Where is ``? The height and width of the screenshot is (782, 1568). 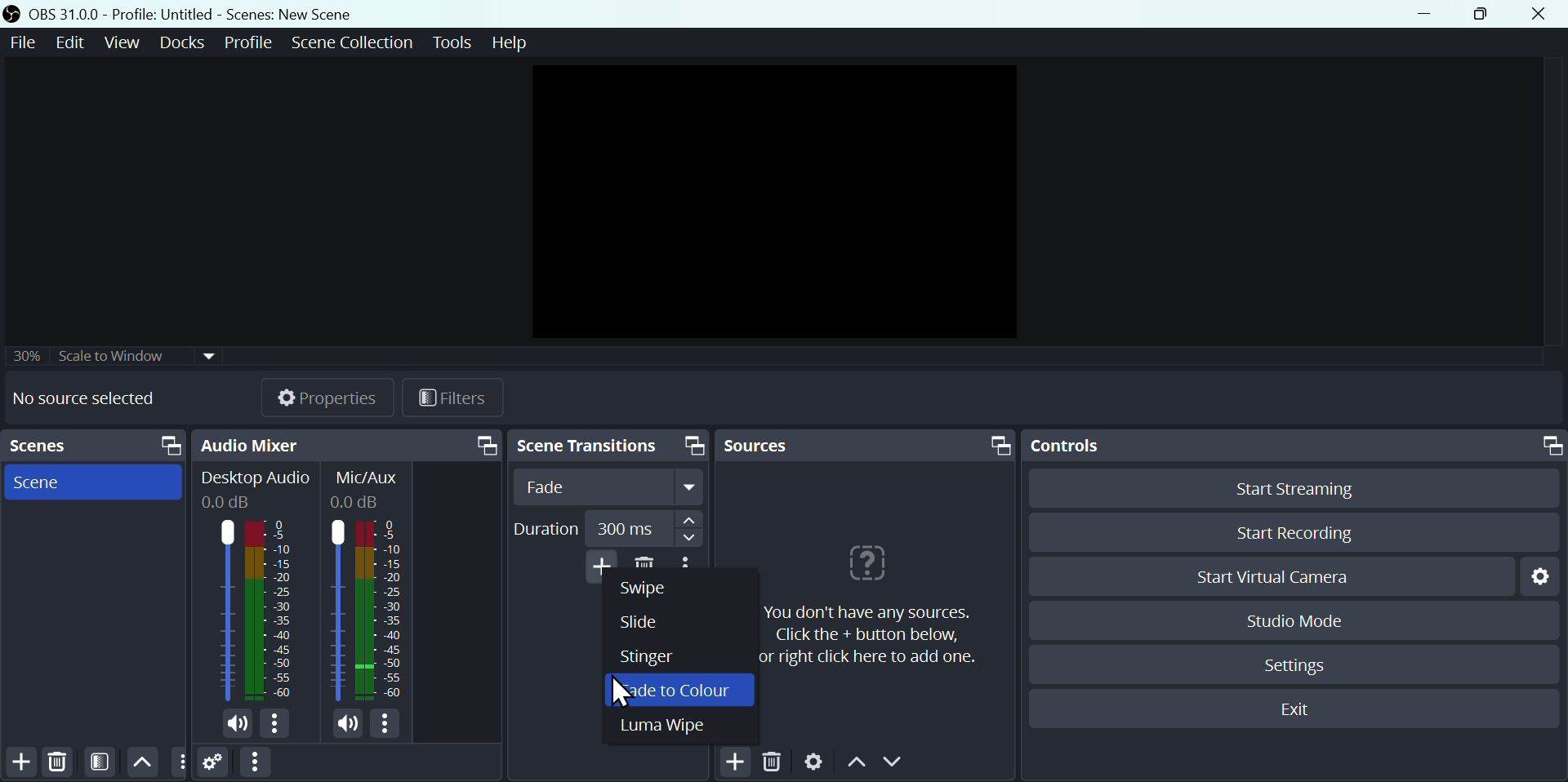  is located at coordinates (450, 40).